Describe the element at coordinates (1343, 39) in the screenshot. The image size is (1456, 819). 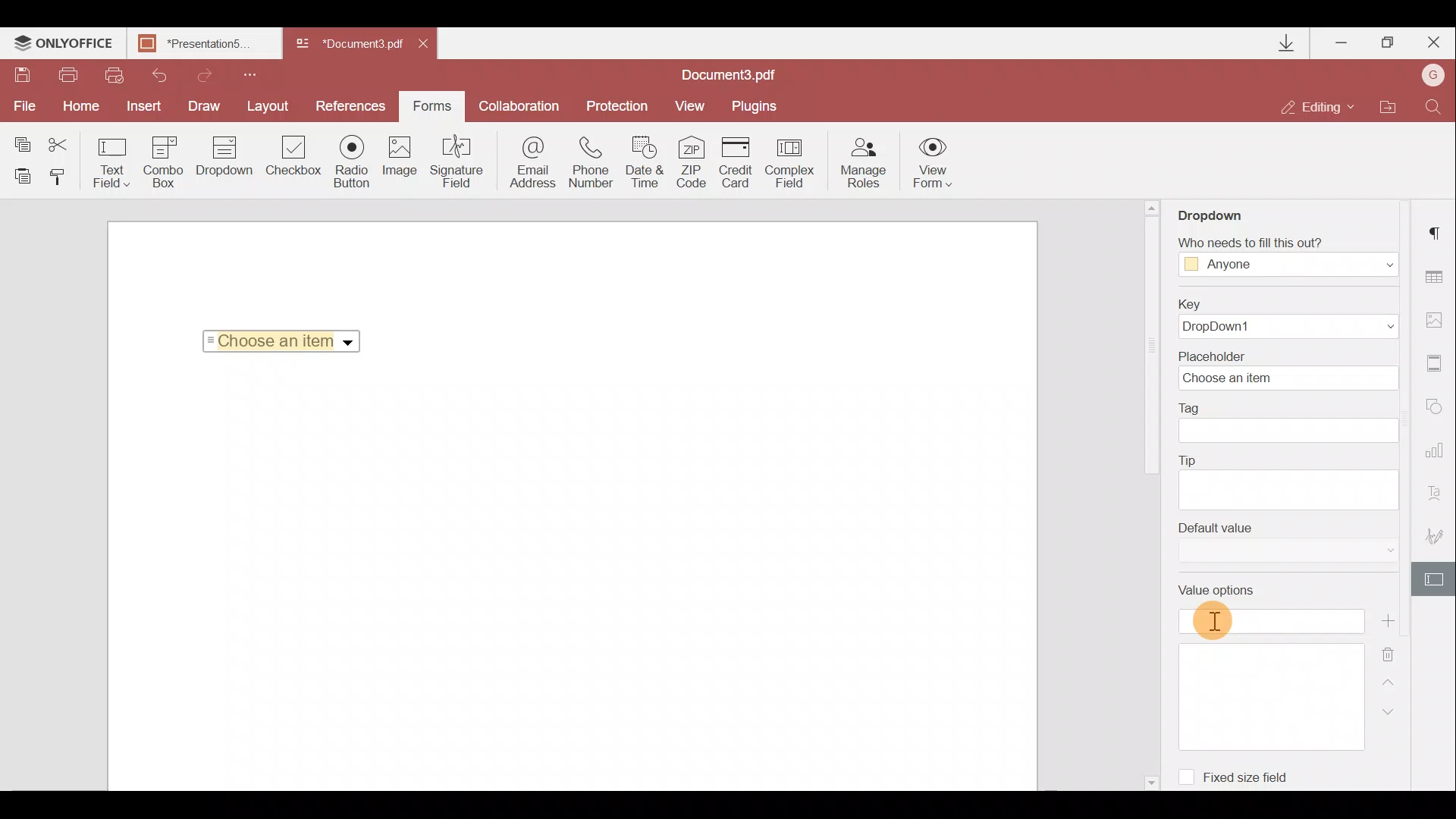
I see `Minimize` at that location.